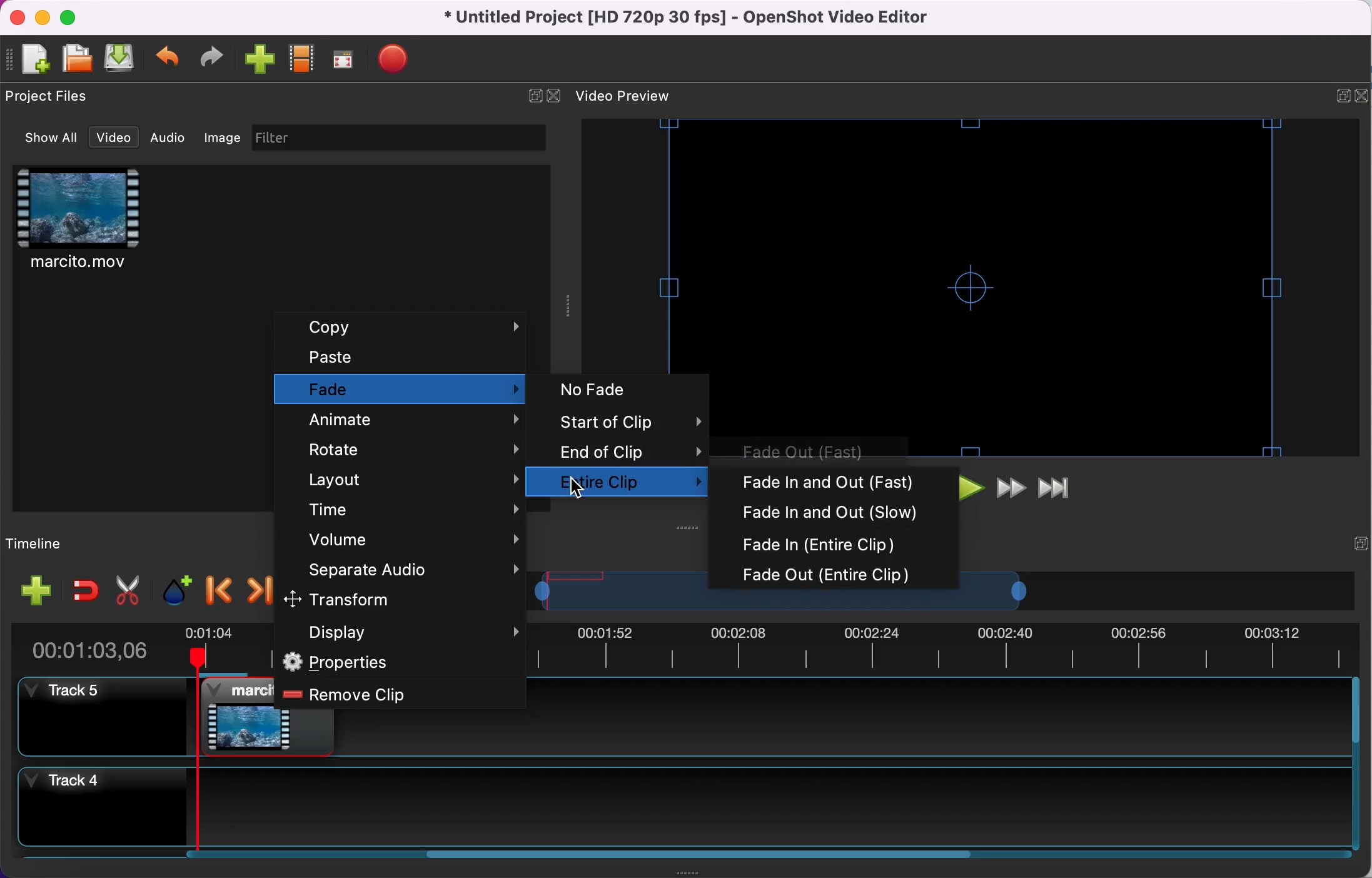 This screenshot has height=878, width=1372. Describe the element at coordinates (406, 450) in the screenshot. I see `rotate` at that location.